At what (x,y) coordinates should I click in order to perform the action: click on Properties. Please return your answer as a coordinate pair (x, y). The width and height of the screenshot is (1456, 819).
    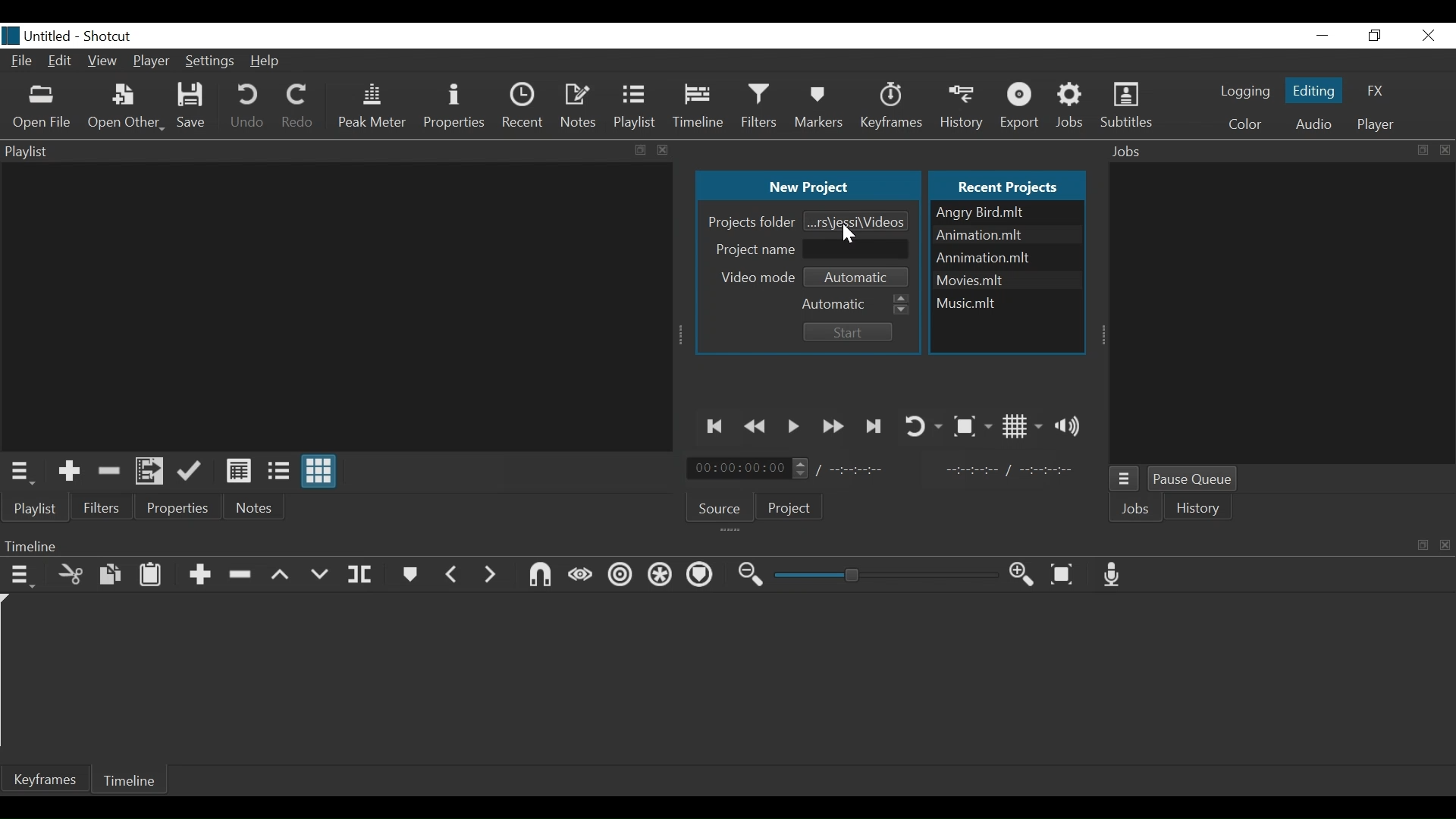
    Looking at the image, I should click on (453, 106).